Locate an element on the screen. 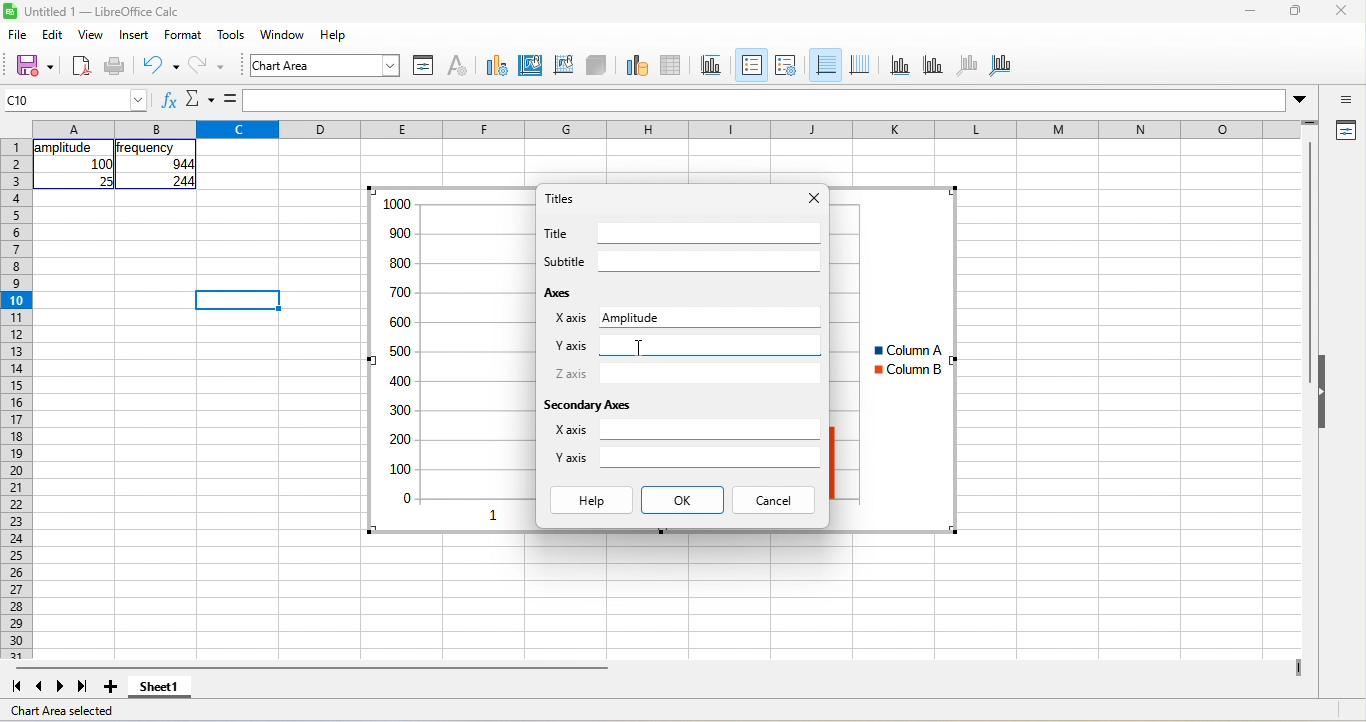  save is located at coordinates (34, 67).